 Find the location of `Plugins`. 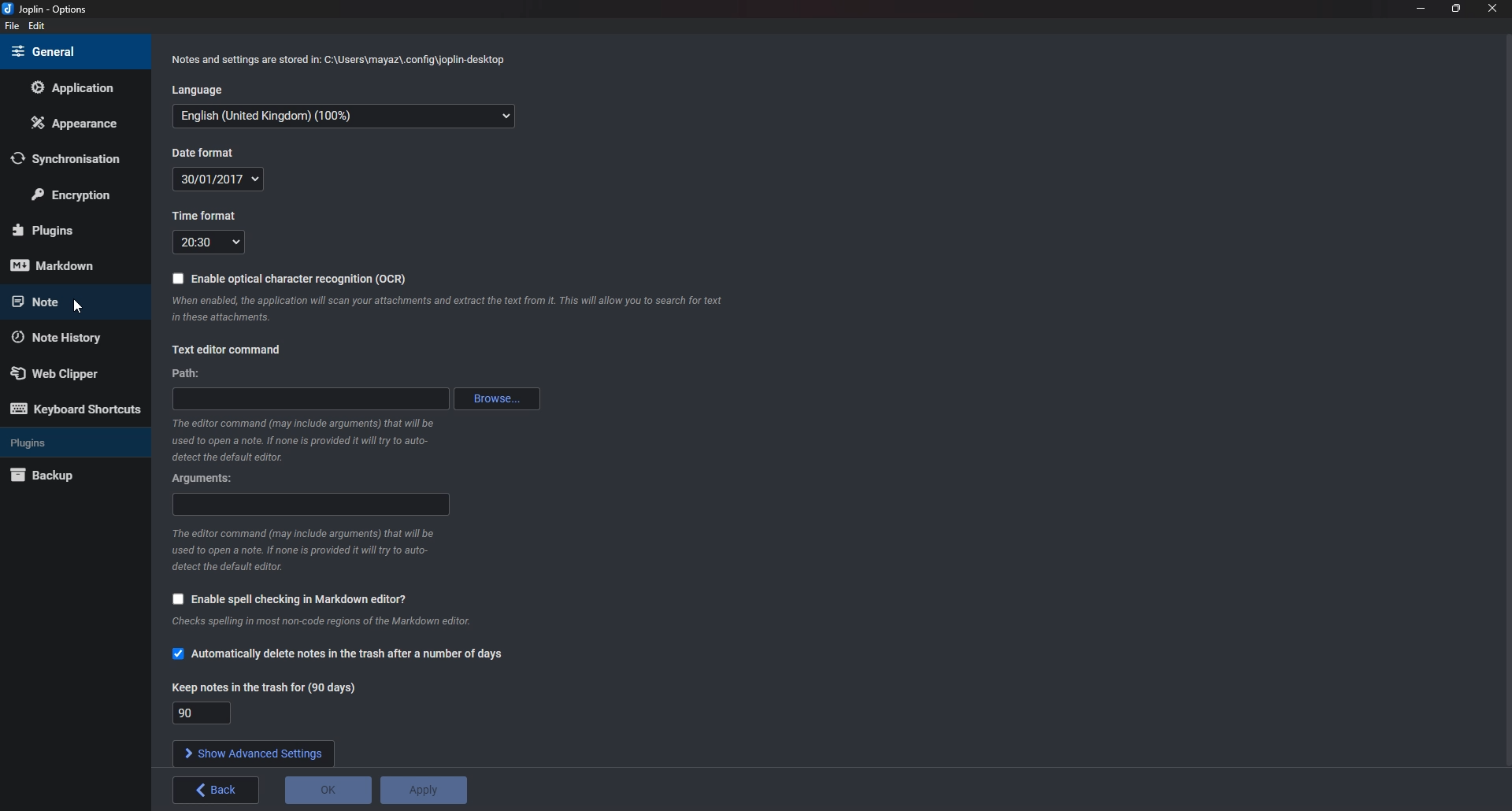

Plugins is located at coordinates (71, 444).